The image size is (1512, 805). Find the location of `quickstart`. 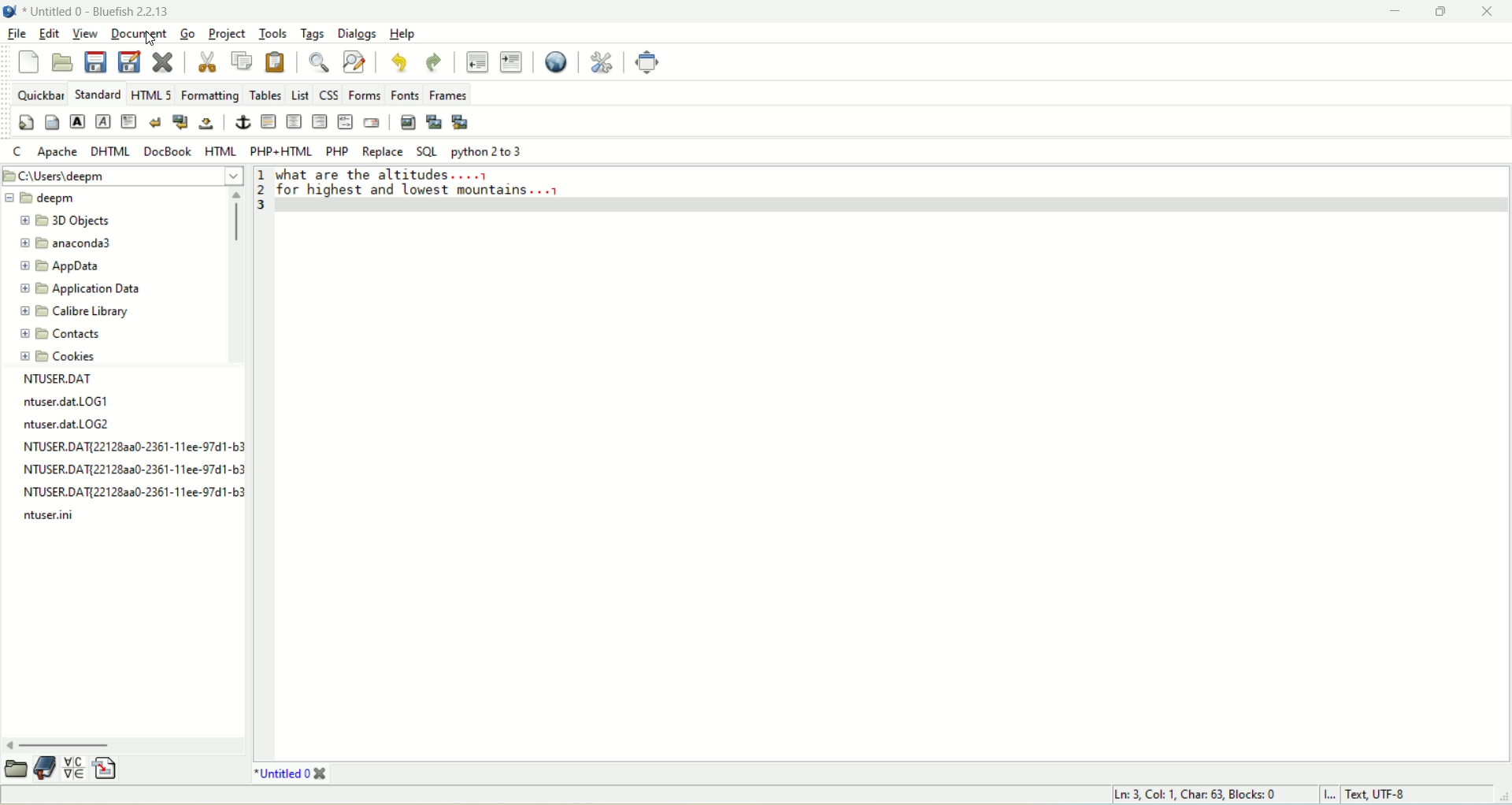

quickstart is located at coordinates (25, 121).